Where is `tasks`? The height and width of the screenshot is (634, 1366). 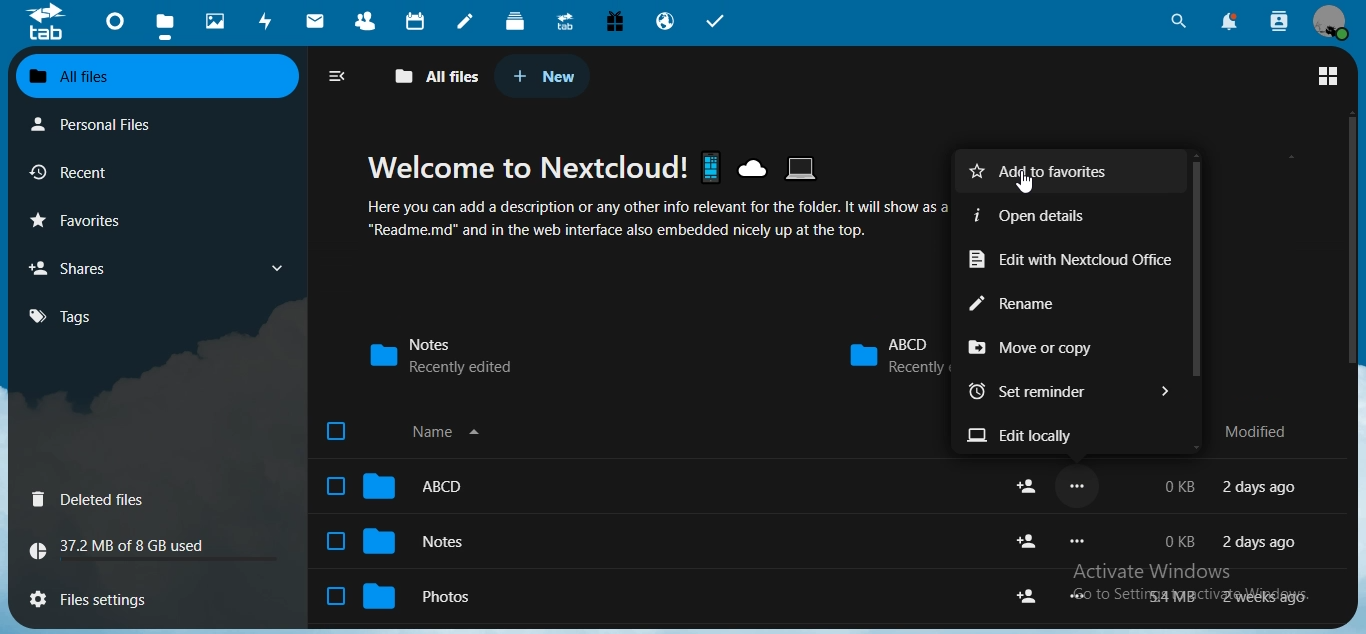 tasks is located at coordinates (715, 22).